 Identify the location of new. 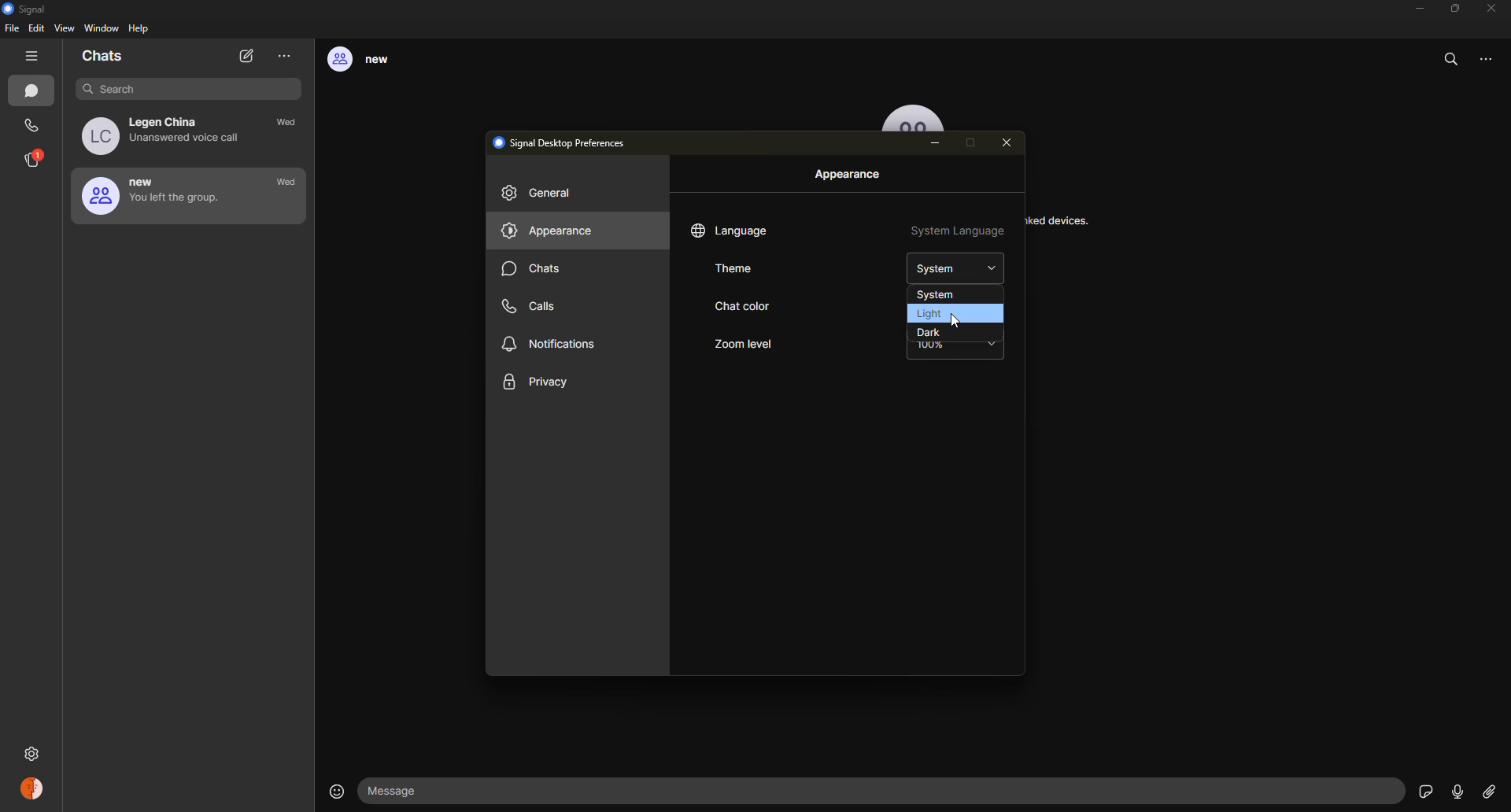
(157, 195).